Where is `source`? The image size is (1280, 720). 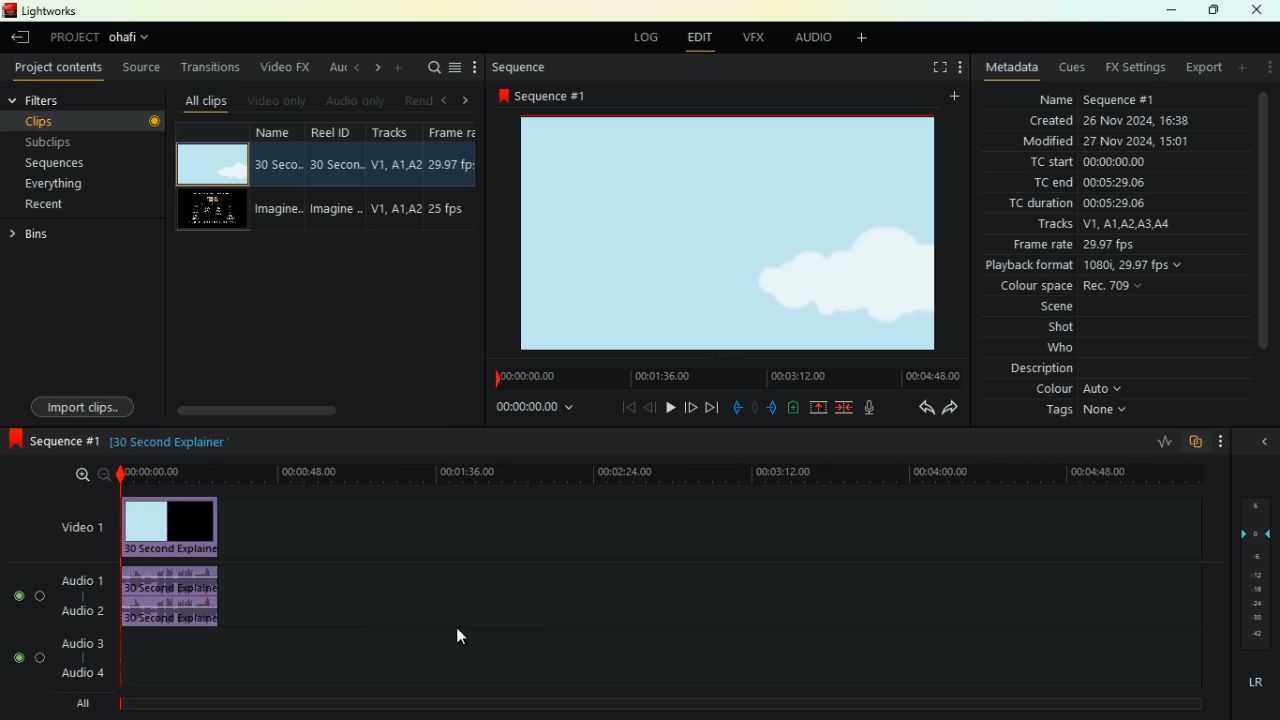
source is located at coordinates (144, 67).